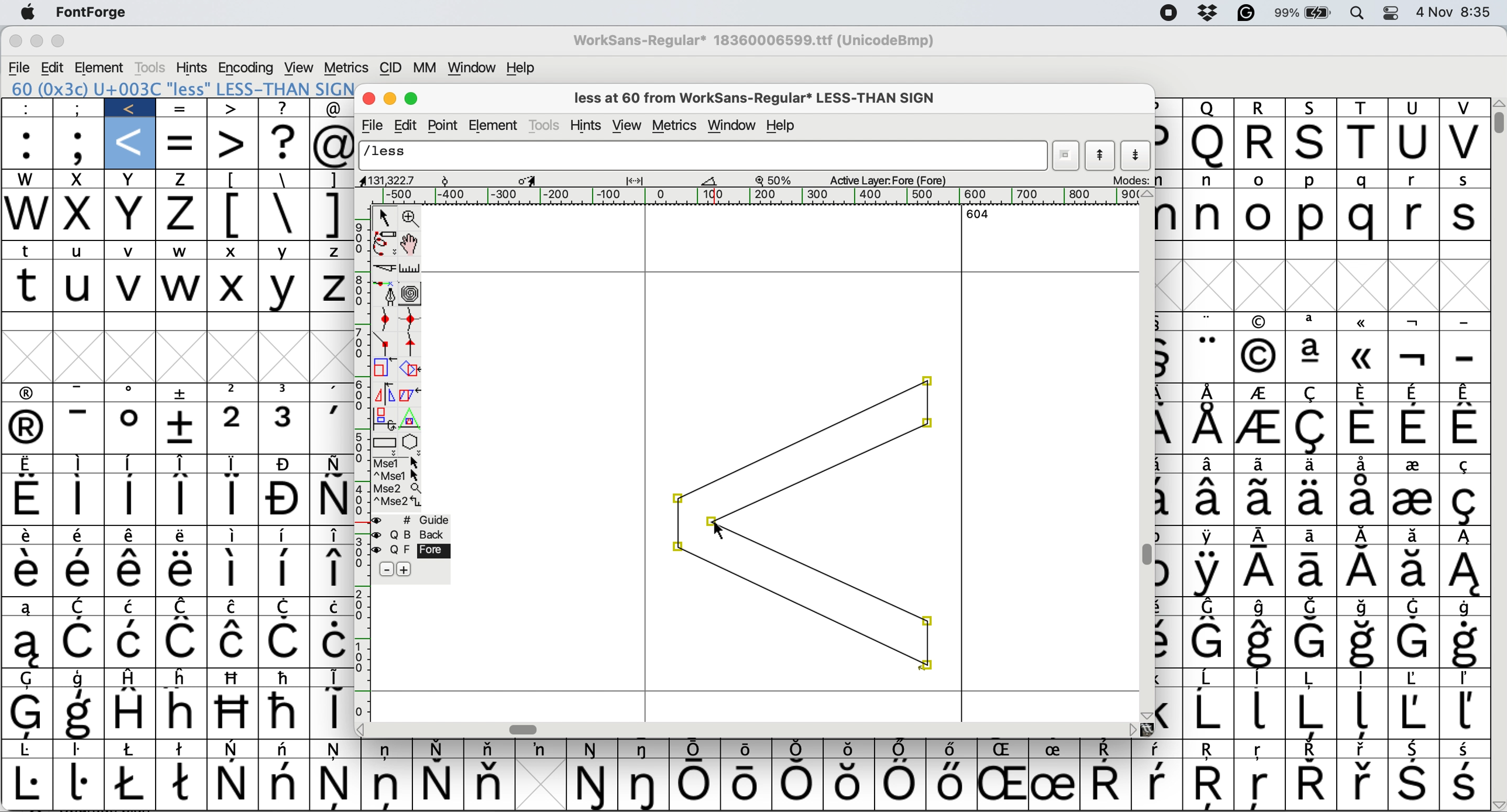 The height and width of the screenshot is (812, 1507). I want to click on grammarly, so click(1245, 13).